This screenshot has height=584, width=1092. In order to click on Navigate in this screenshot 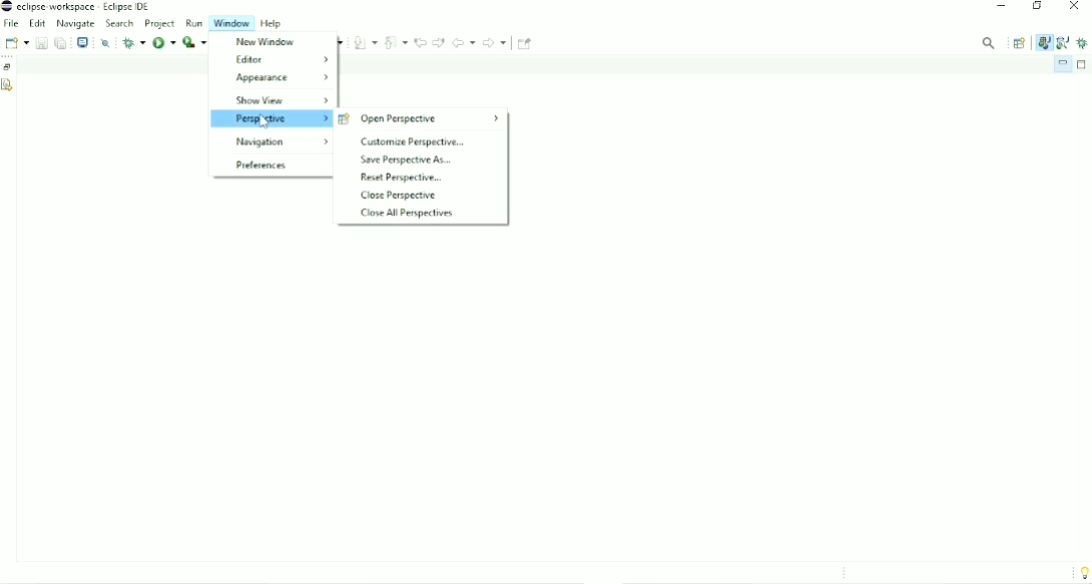, I will do `click(76, 23)`.